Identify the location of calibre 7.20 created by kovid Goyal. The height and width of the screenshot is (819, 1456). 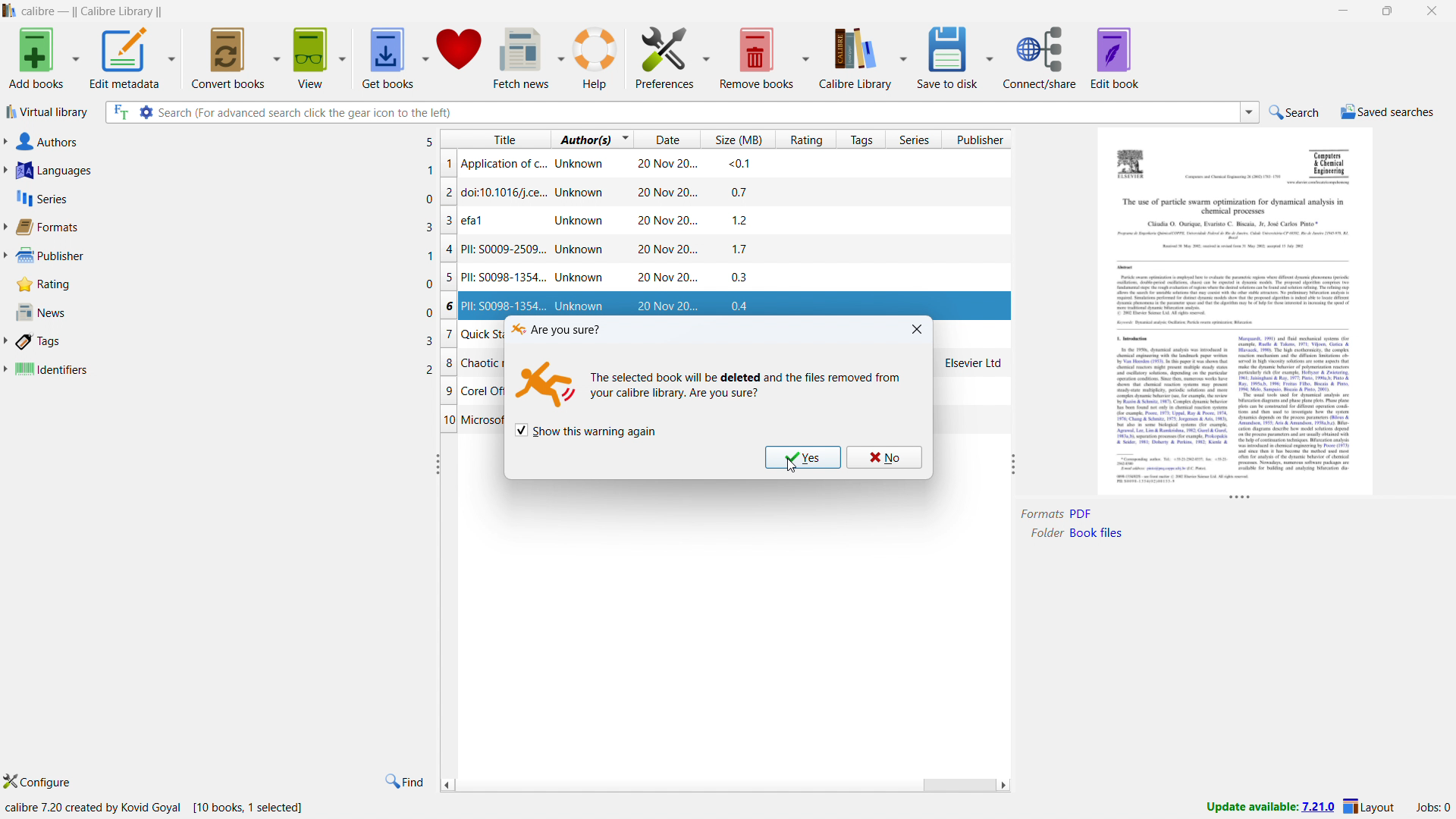
(93, 809).